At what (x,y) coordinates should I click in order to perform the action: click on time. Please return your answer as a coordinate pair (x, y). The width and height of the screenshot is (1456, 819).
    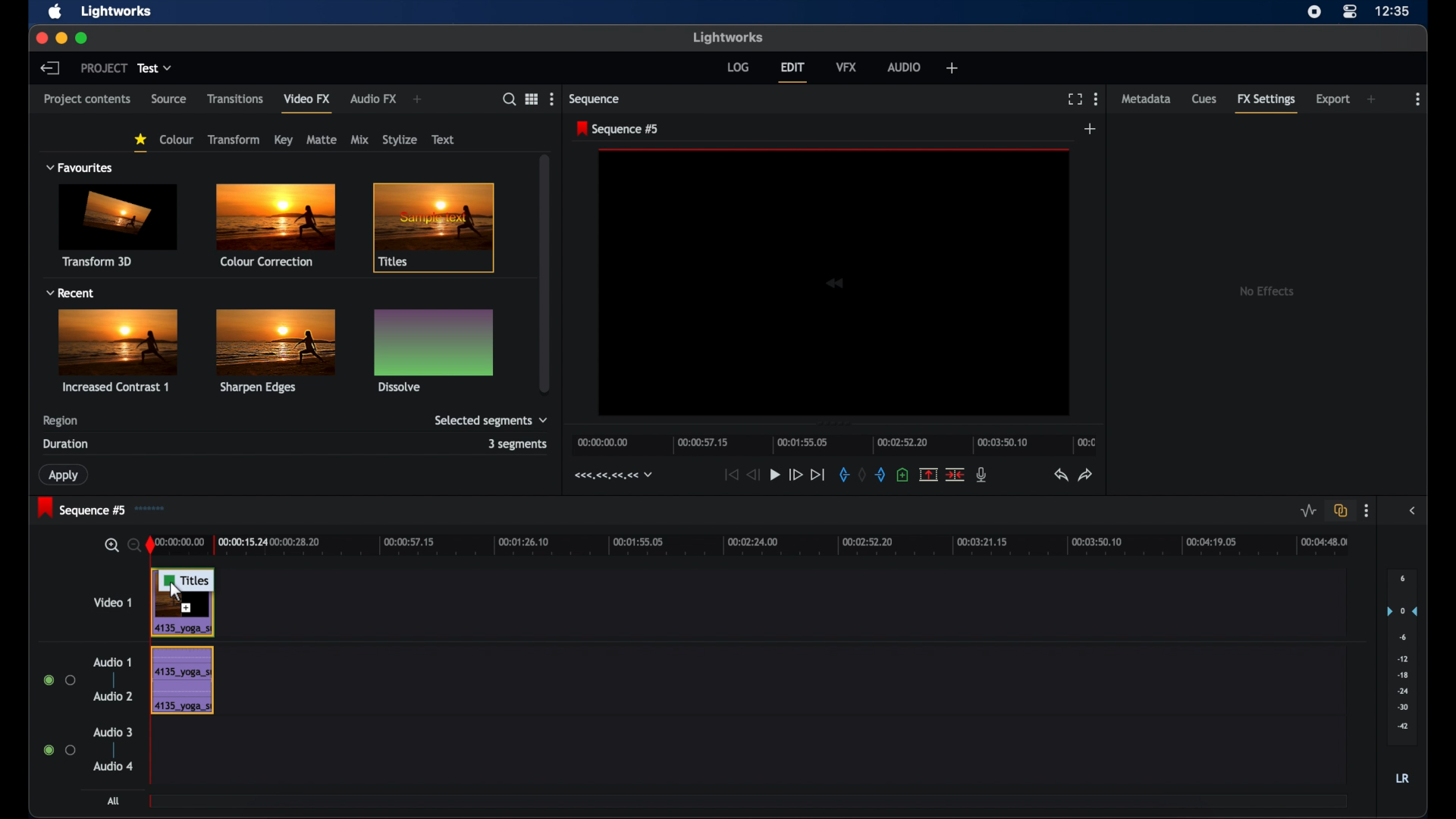
    Looking at the image, I should click on (1394, 12).